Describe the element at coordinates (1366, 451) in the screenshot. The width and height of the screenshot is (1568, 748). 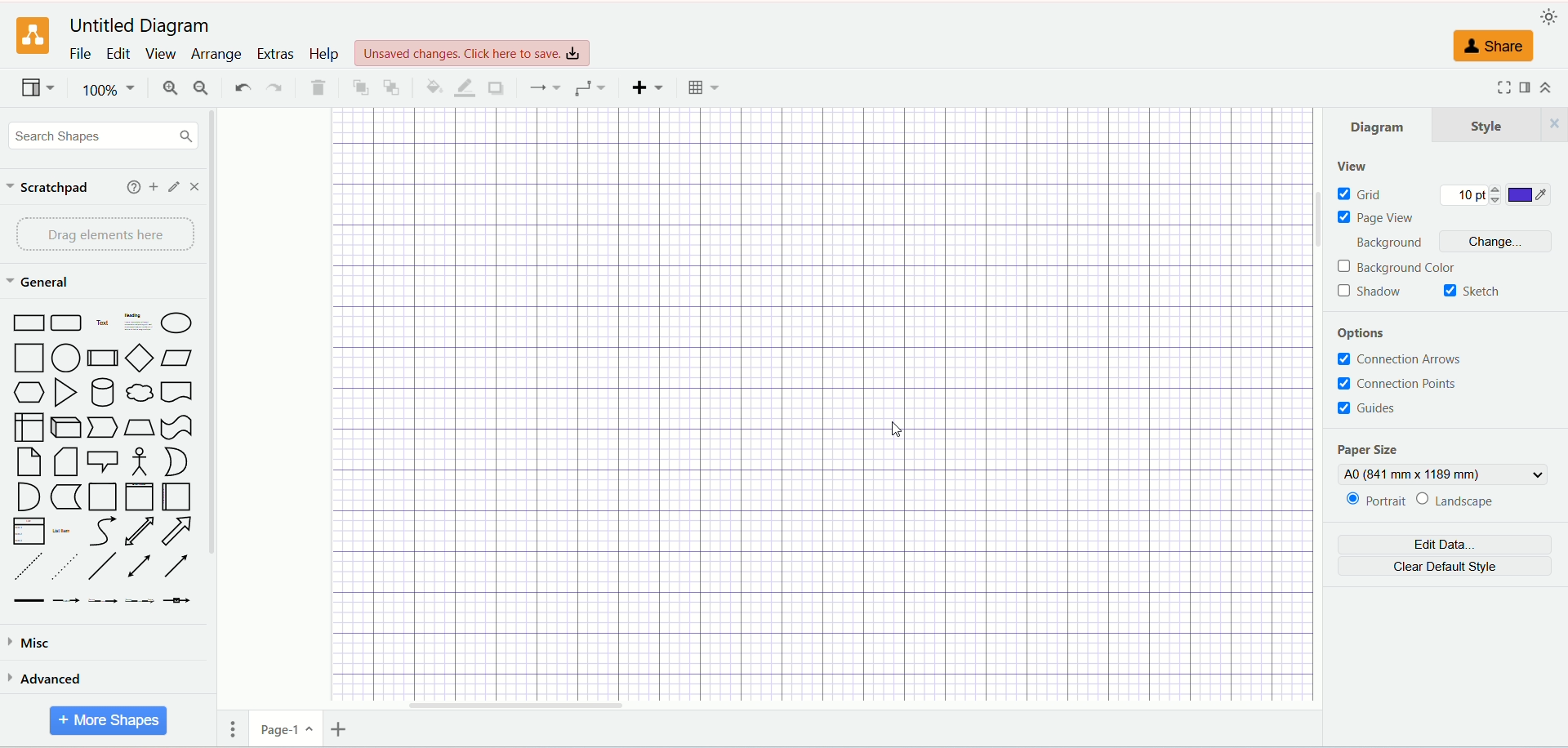
I see `paper size` at that location.